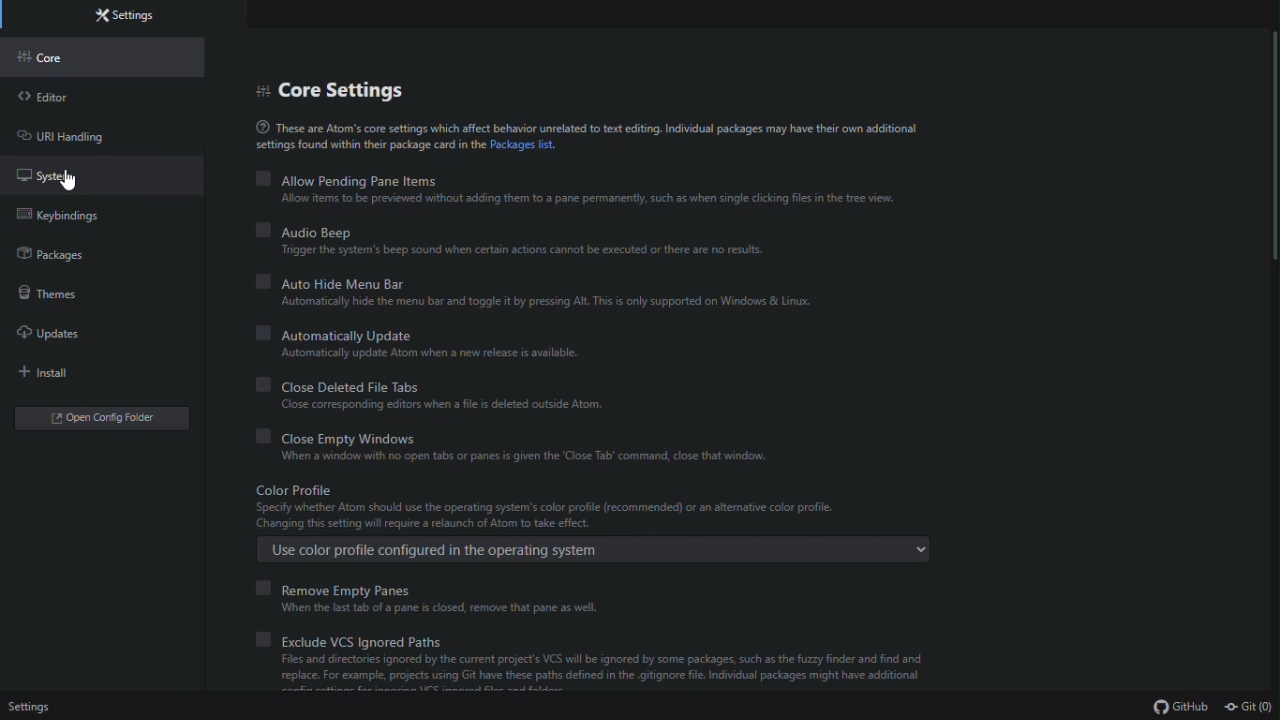  What do you see at coordinates (420, 354) in the screenshot?
I see `Automatically update Atom when 3 new release is available.` at bounding box center [420, 354].